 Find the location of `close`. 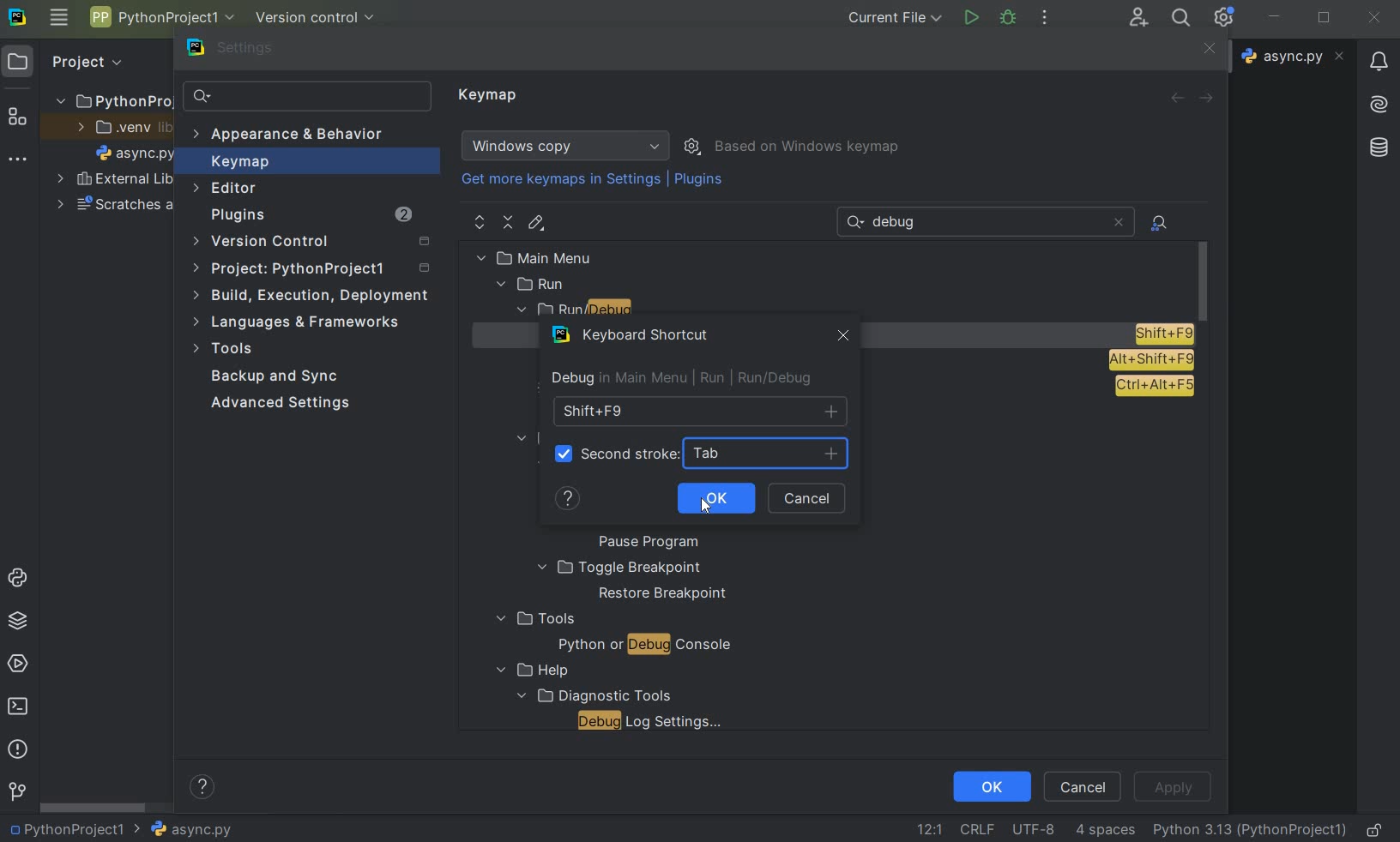

close is located at coordinates (1207, 50).